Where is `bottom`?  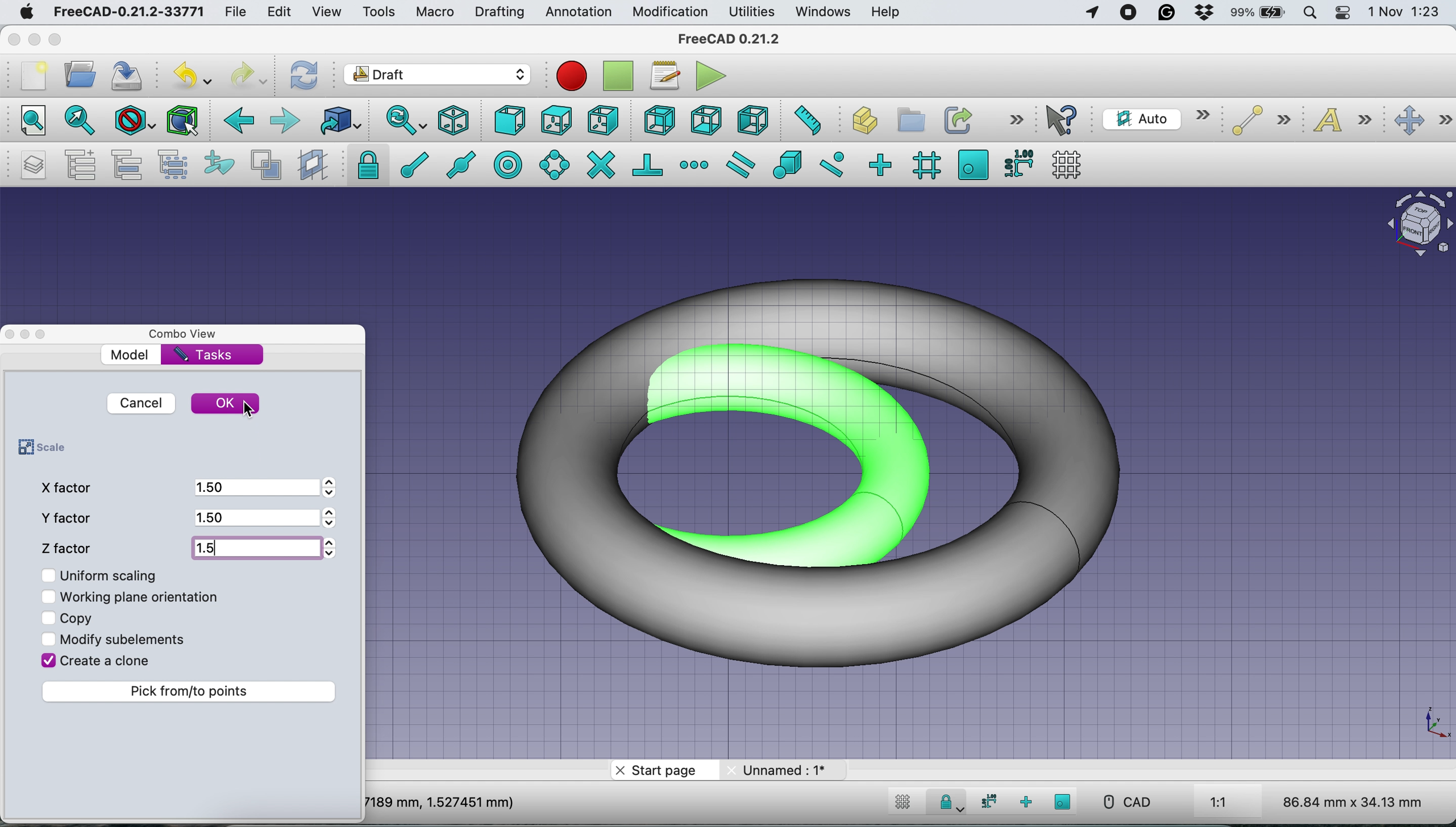 bottom is located at coordinates (708, 119).